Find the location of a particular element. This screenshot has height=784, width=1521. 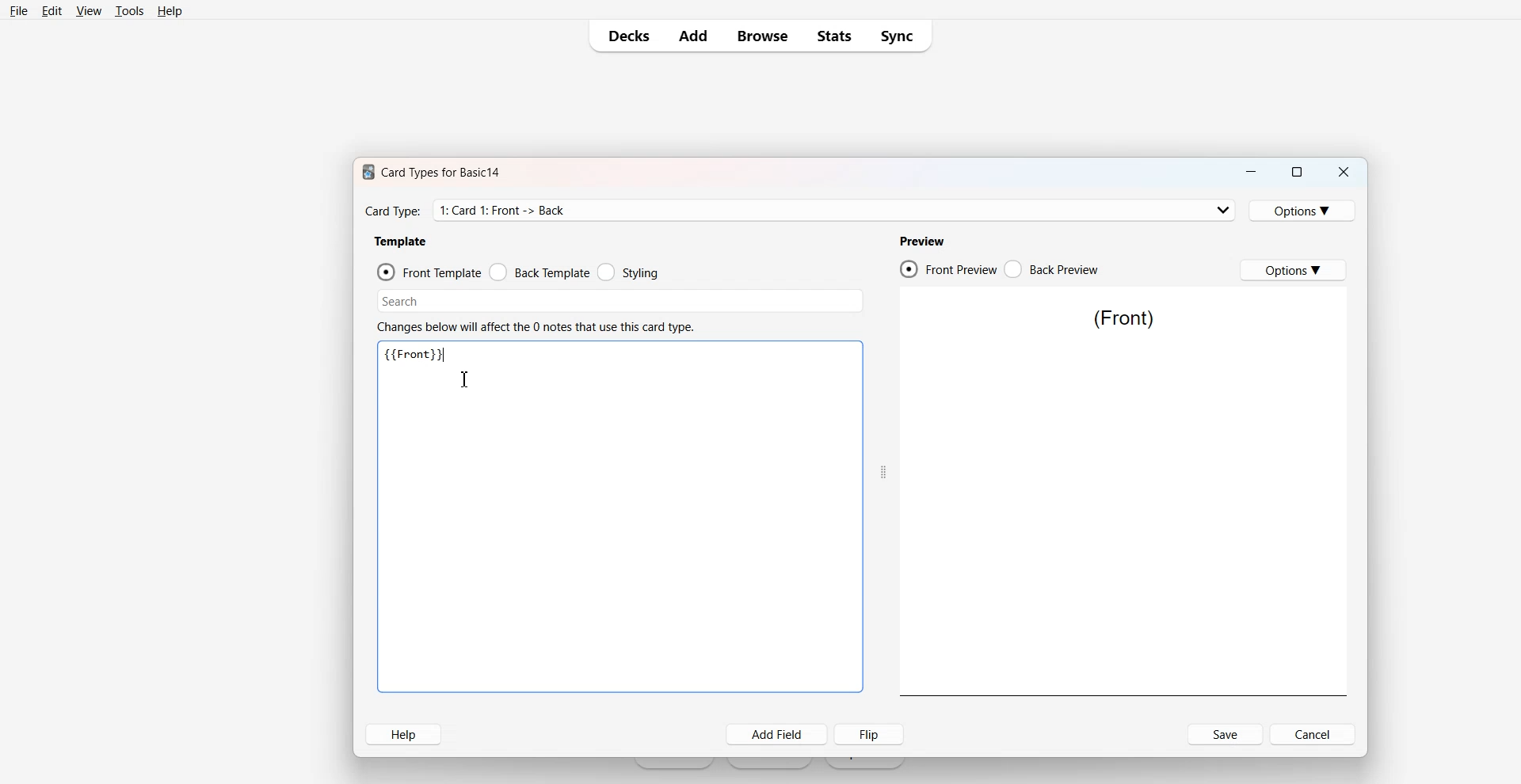

Decks is located at coordinates (624, 36).